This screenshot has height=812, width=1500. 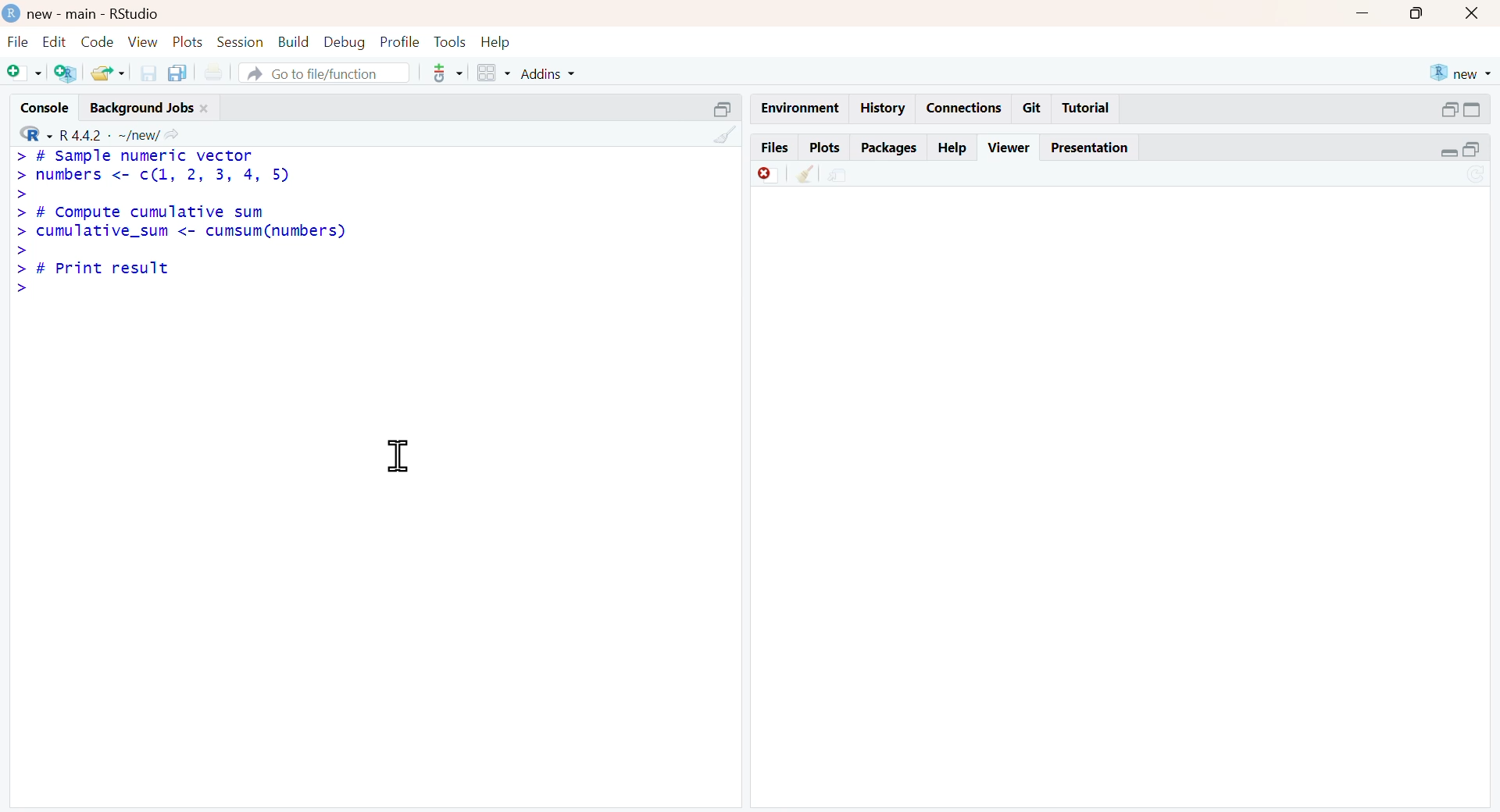 I want to click on add R file, so click(x=66, y=73).